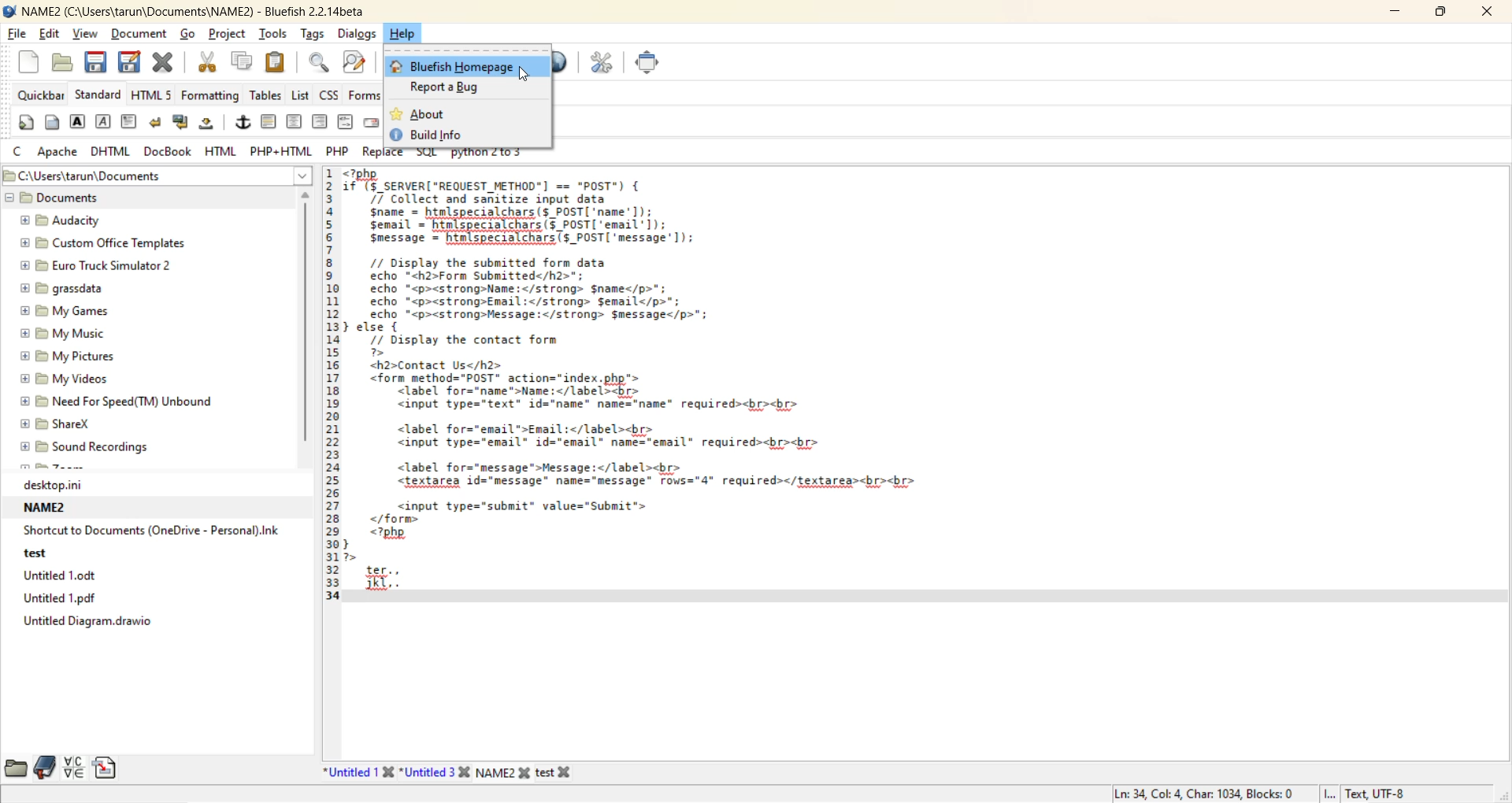  Describe the element at coordinates (152, 94) in the screenshot. I see `html 5` at that location.